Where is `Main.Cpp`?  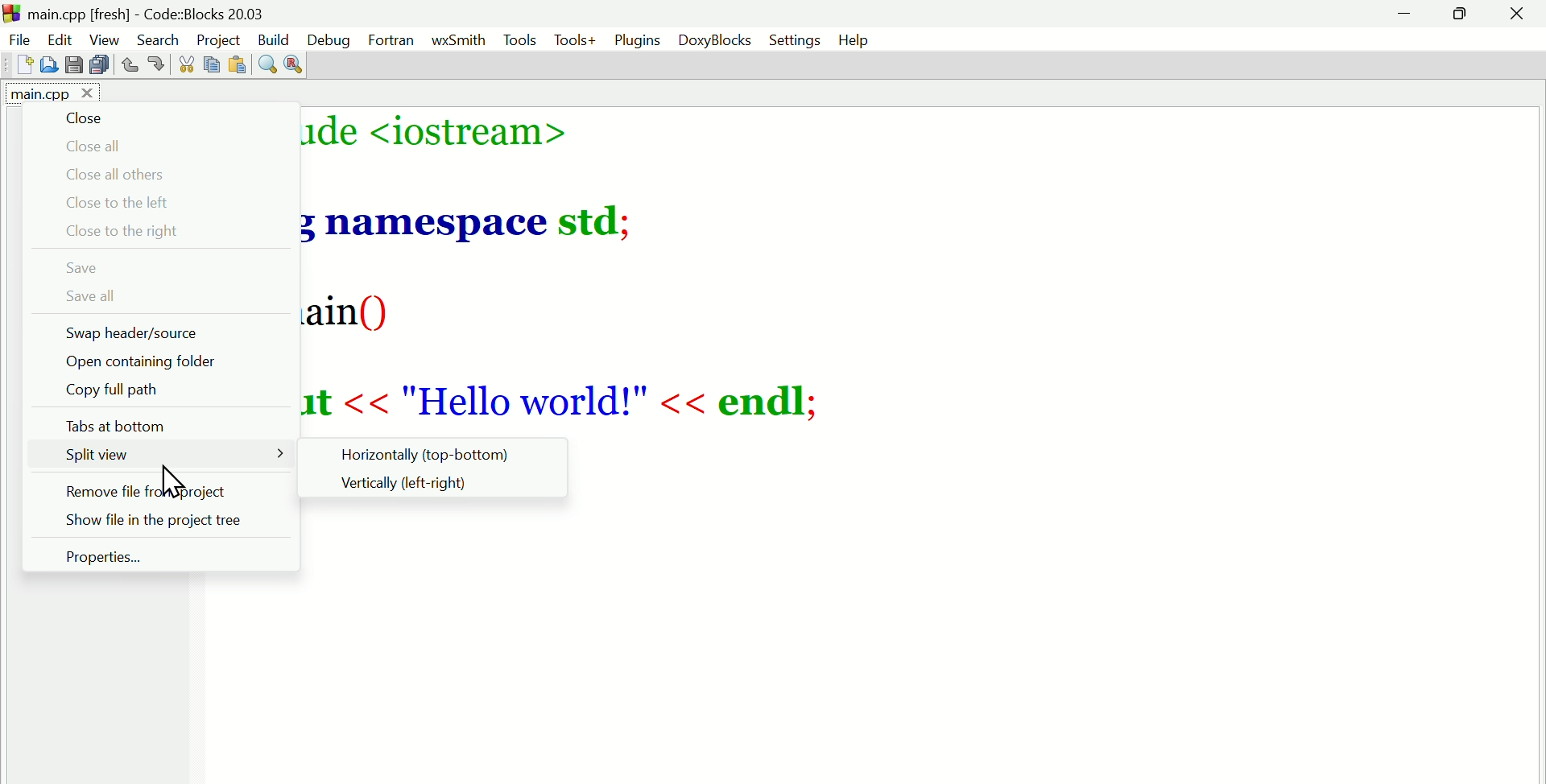
Main.Cpp is located at coordinates (48, 95).